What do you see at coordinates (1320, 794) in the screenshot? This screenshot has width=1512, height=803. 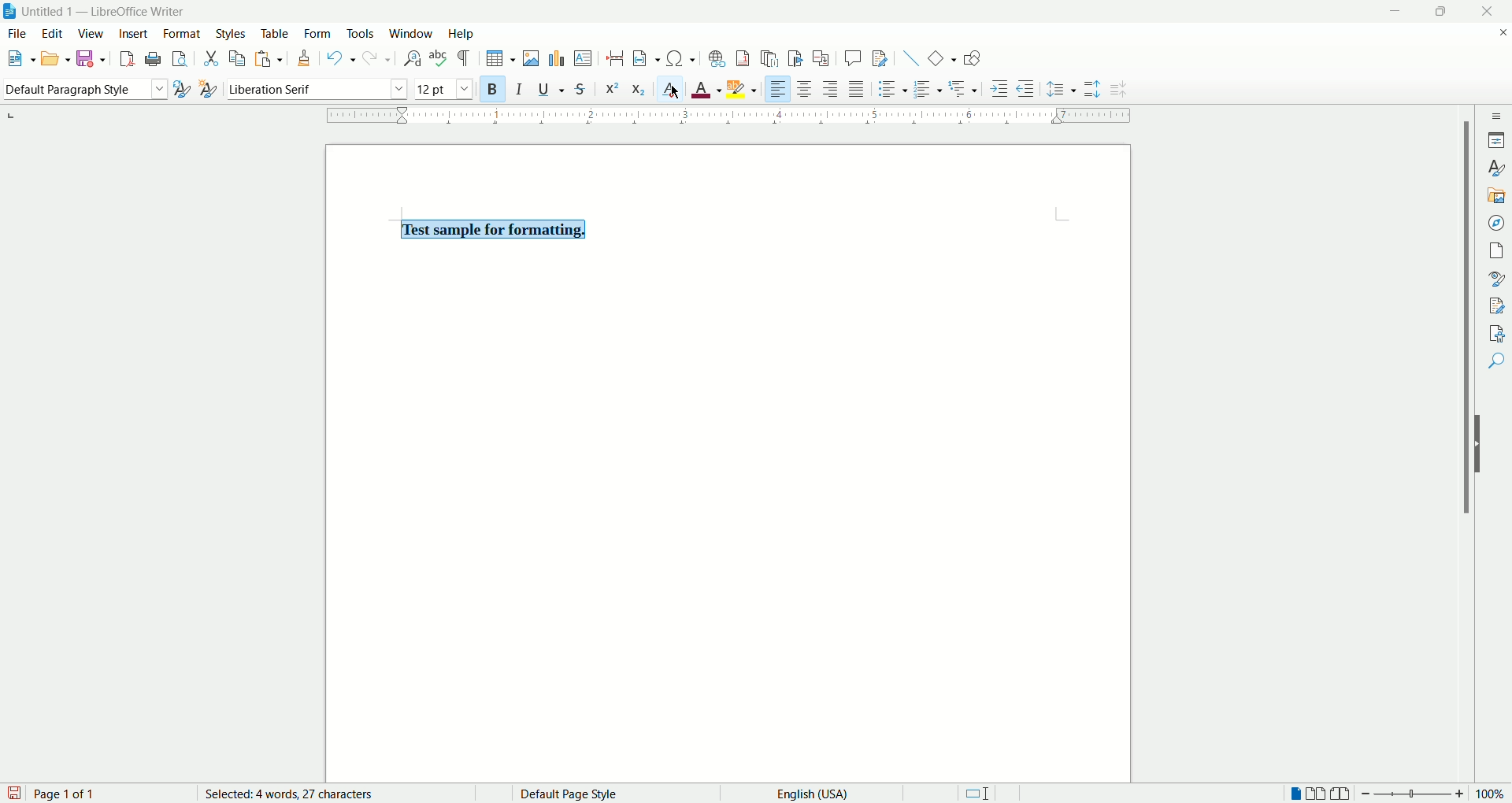 I see `multiple page view` at bounding box center [1320, 794].